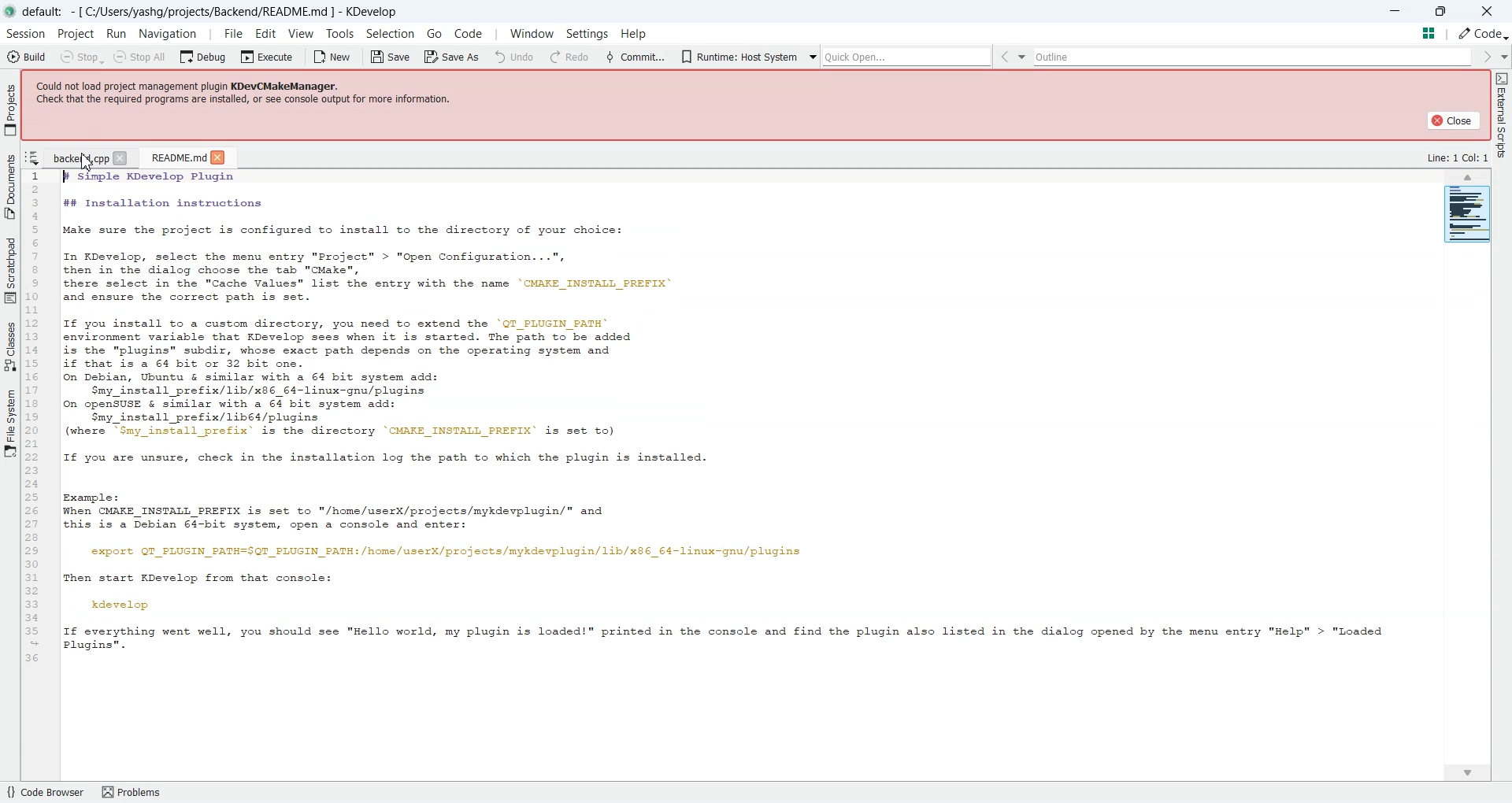  I want to click on Go forward, so click(1288, 57).